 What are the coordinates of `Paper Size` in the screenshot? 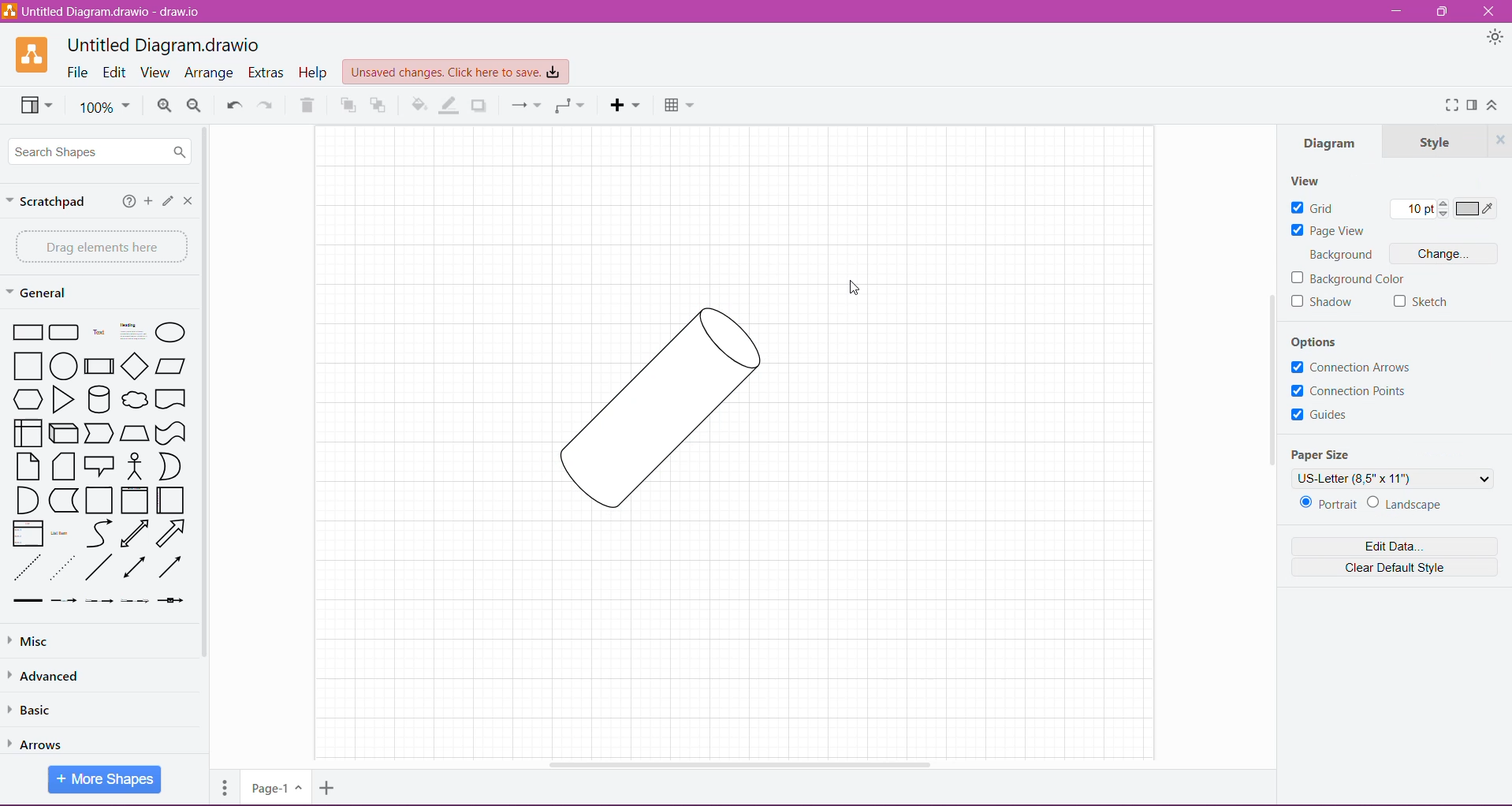 It's located at (1324, 452).